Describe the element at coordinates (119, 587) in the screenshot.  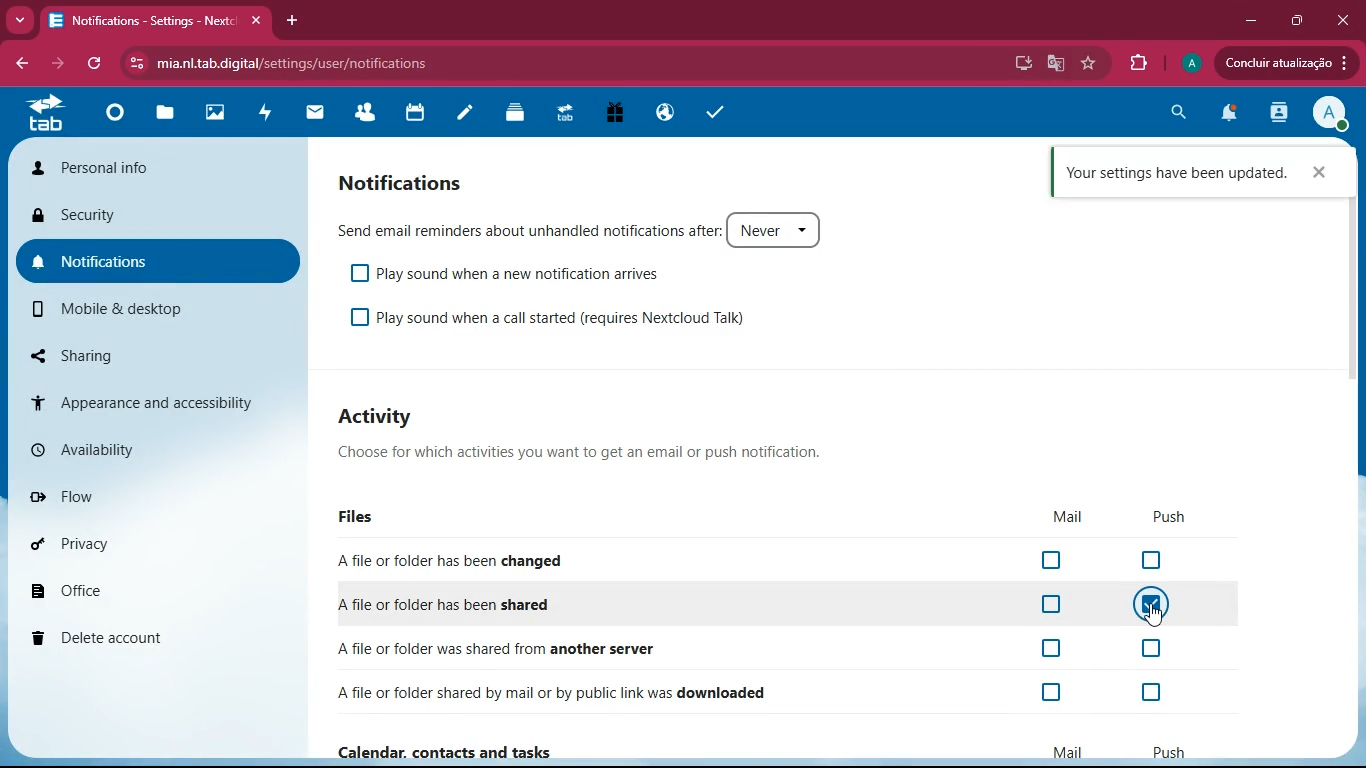
I see `office` at that location.